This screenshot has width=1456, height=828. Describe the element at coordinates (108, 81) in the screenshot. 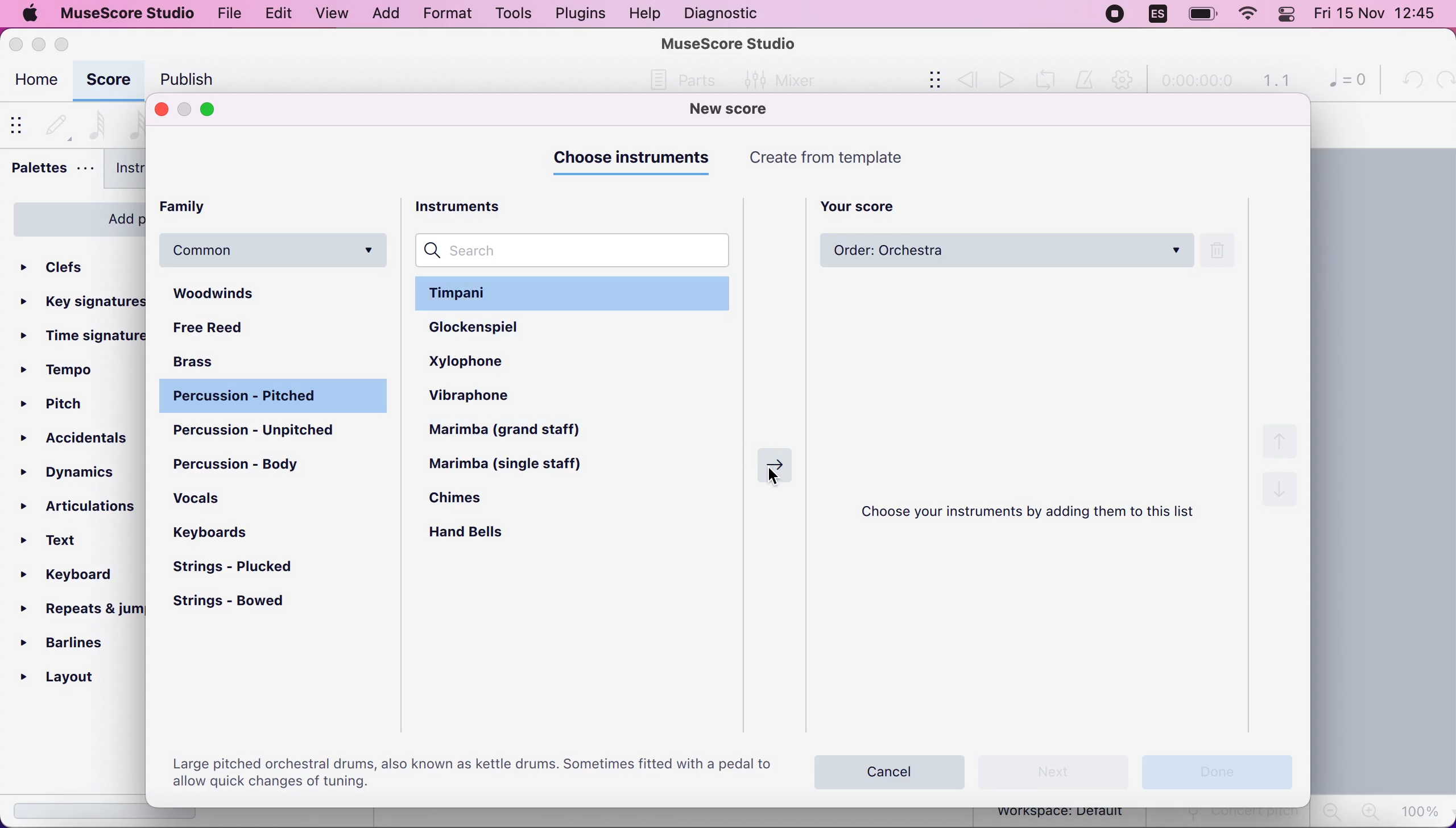

I see `score` at that location.